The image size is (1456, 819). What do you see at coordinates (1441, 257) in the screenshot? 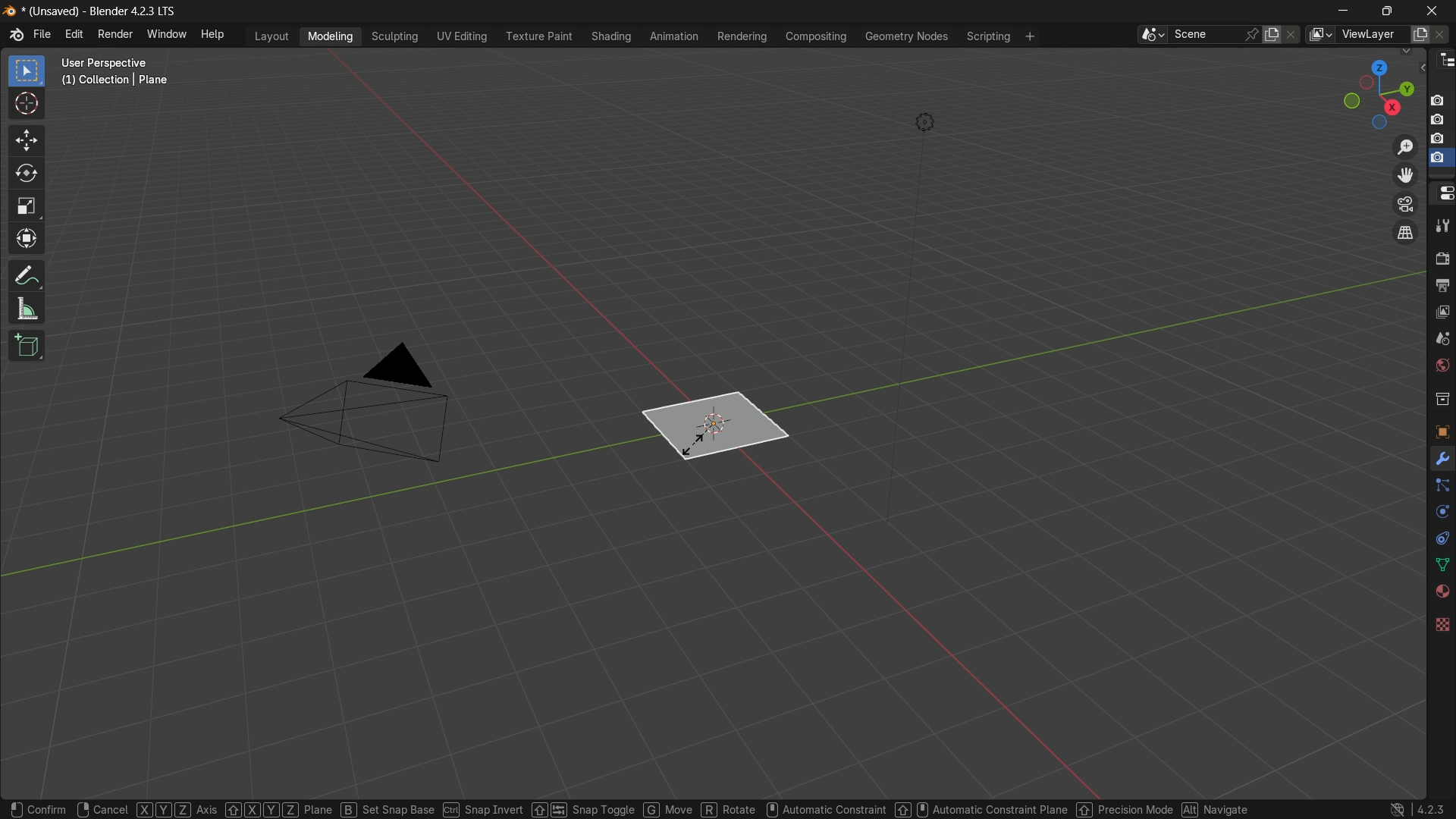
I see `render` at bounding box center [1441, 257].